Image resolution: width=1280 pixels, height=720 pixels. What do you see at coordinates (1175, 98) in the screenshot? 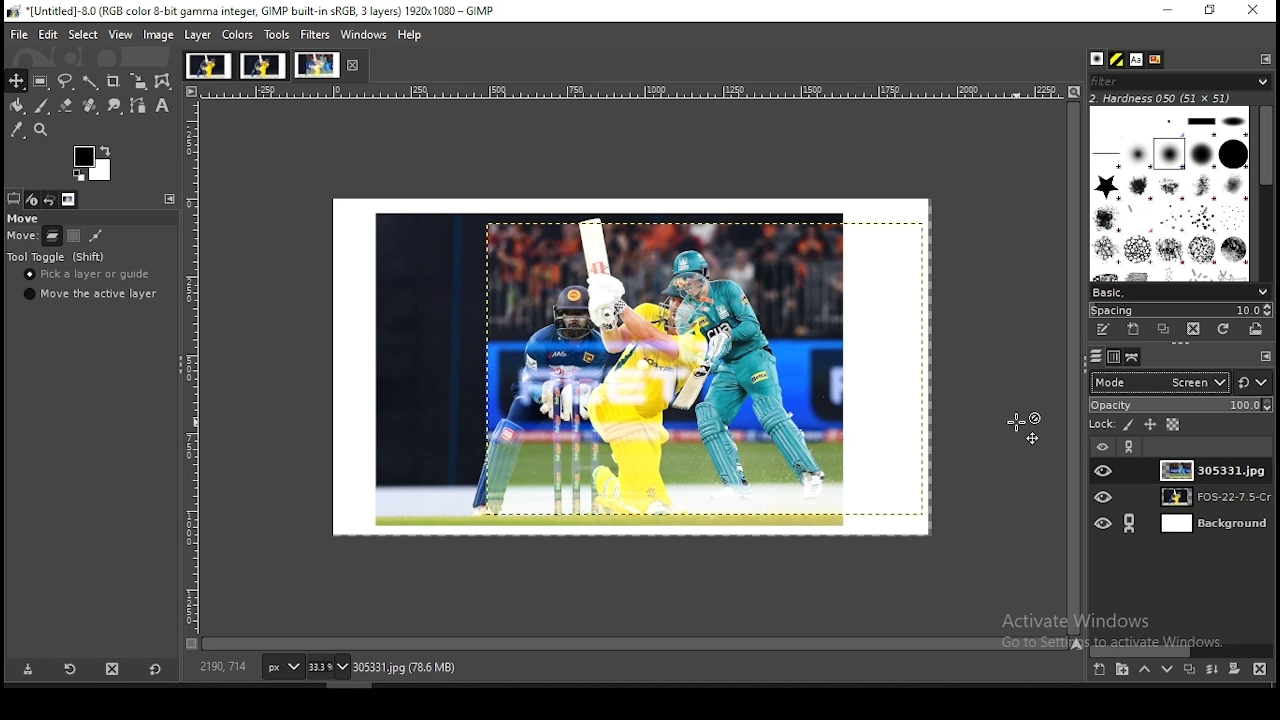
I see `2. hardness` at bounding box center [1175, 98].